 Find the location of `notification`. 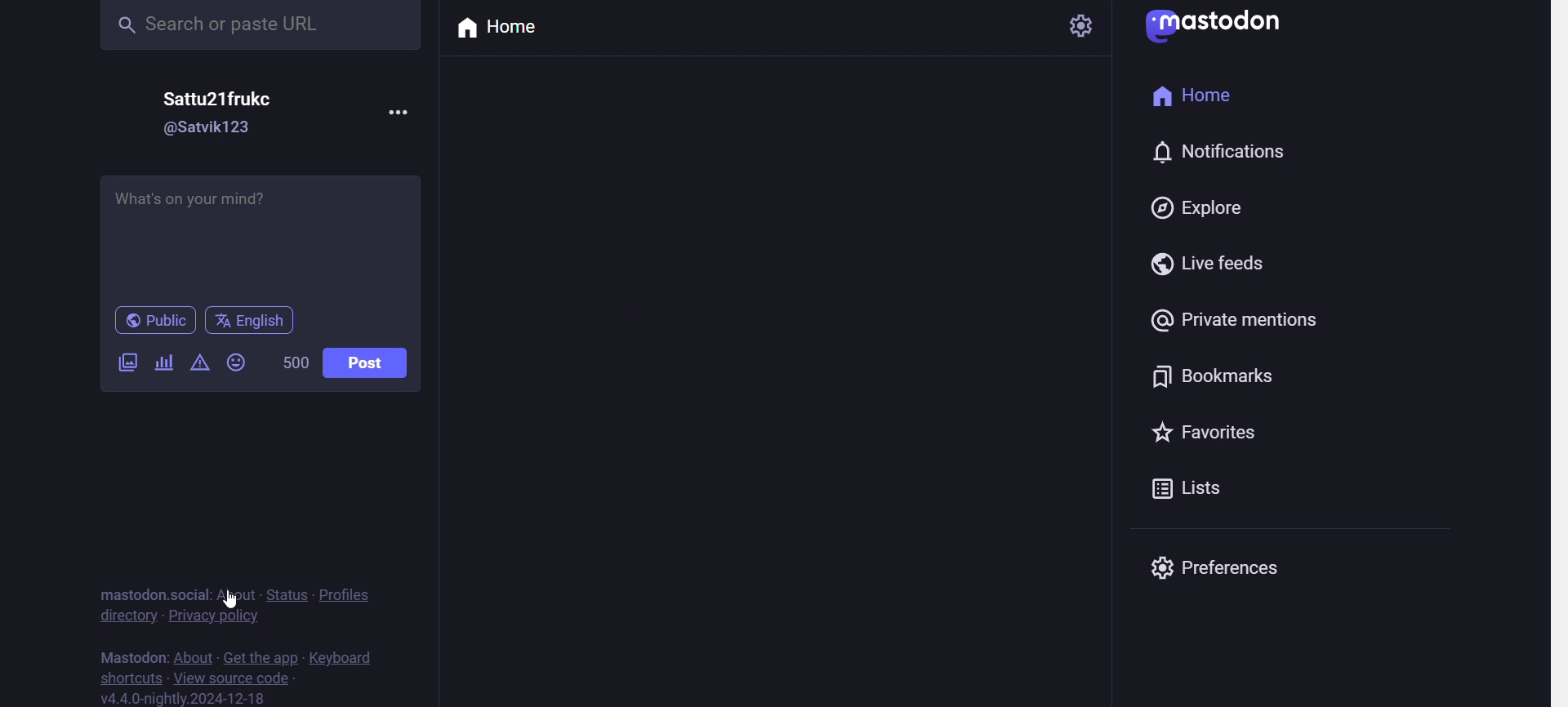

notification is located at coordinates (1230, 149).